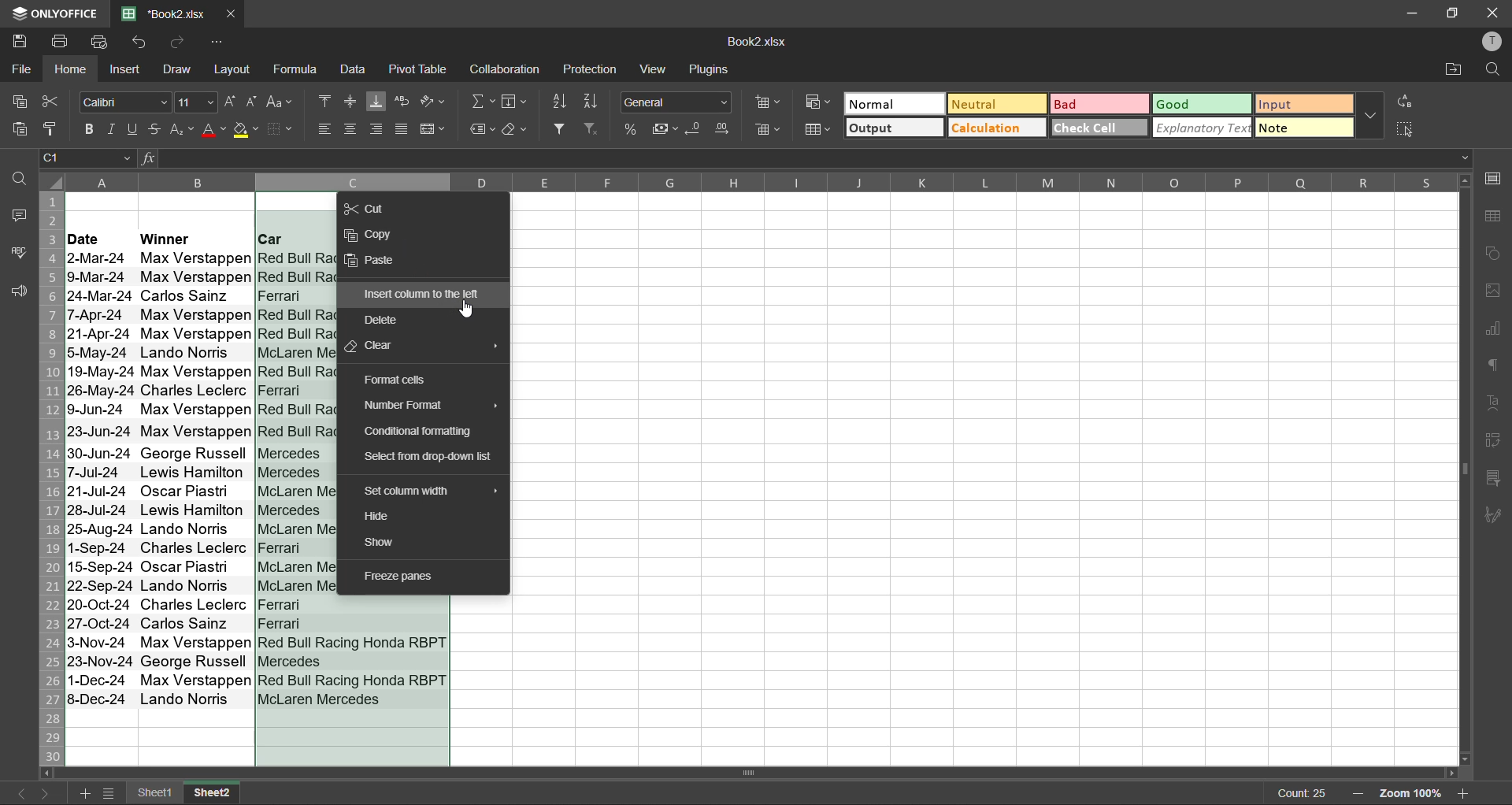 The image size is (1512, 805). I want to click on cut, so click(50, 101).